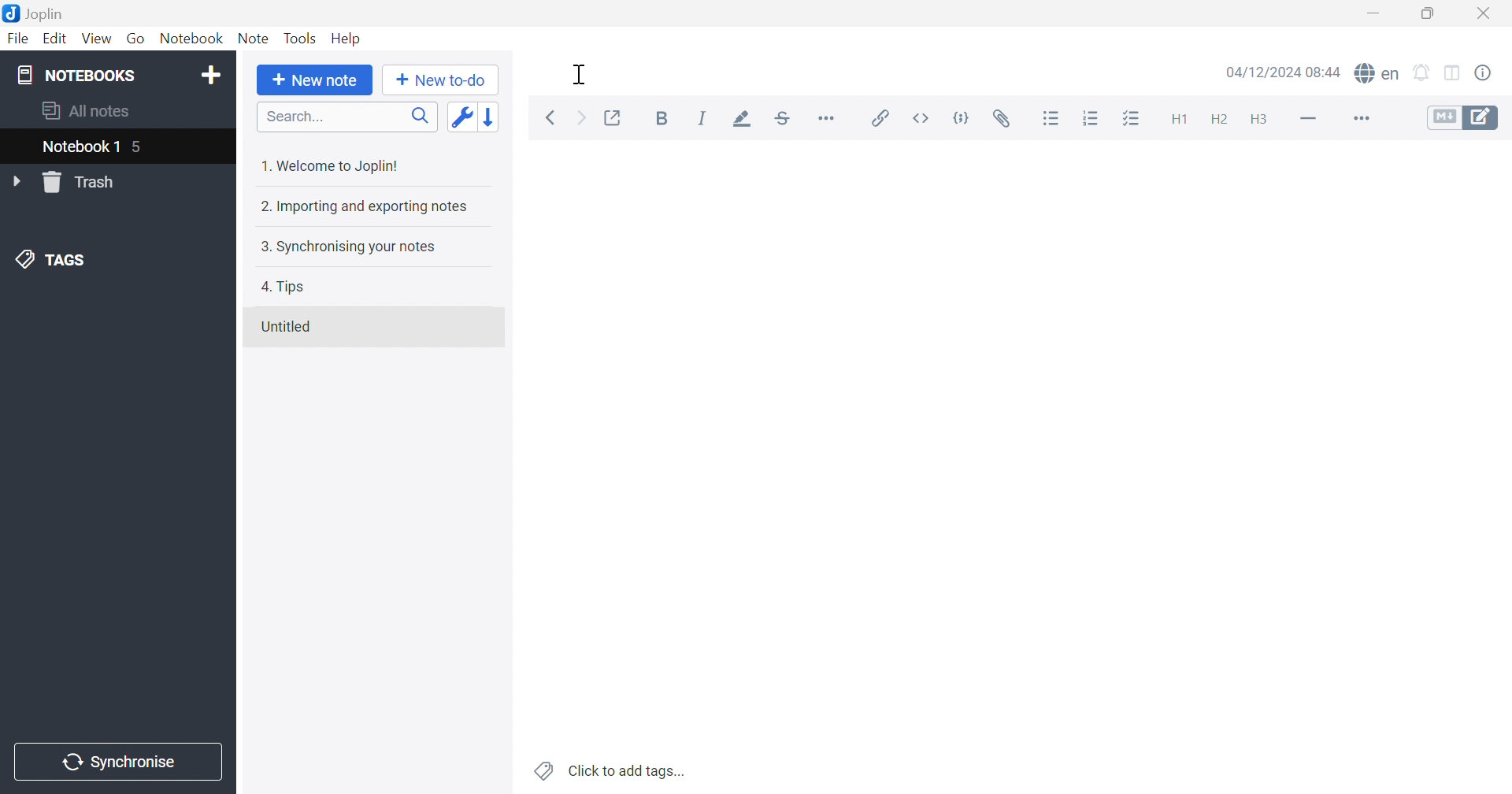 The width and height of the screenshot is (1512, 794). I want to click on Heading 2, so click(1220, 120).